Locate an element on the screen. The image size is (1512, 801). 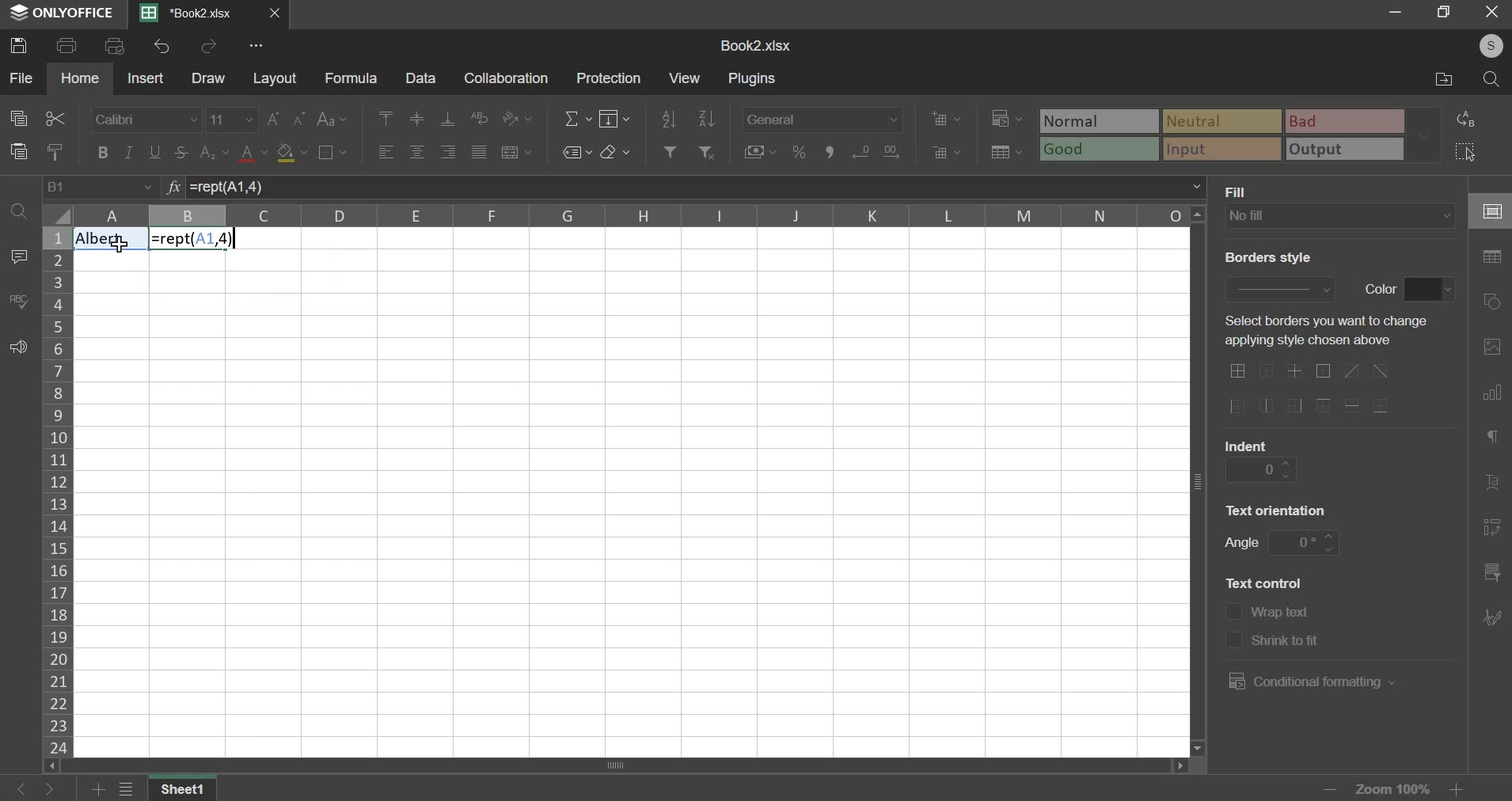
sum is located at coordinates (578, 120).